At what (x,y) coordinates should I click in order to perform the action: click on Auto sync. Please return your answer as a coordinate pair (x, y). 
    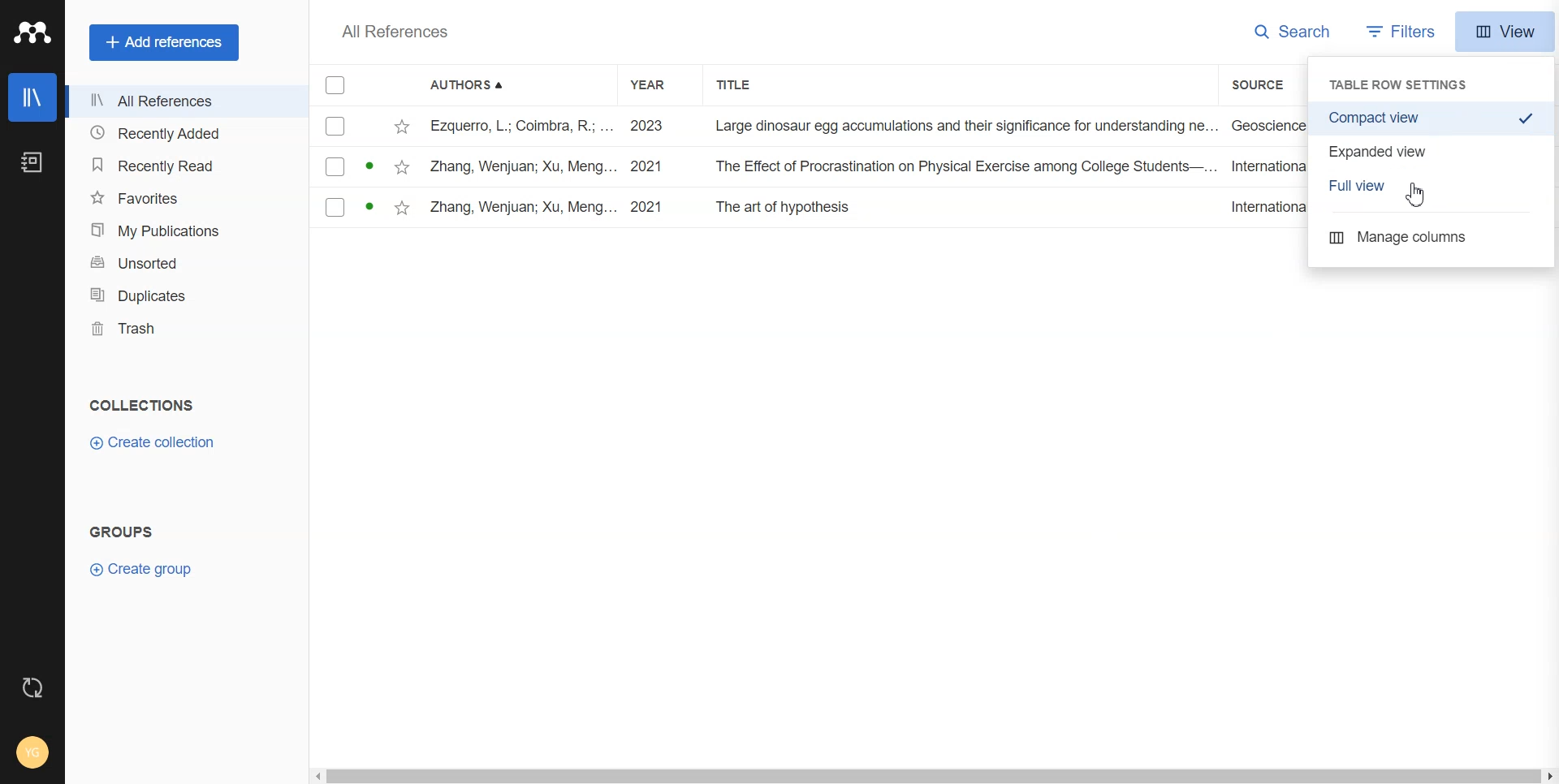
    Looking at the image, I should click on (31, 687).